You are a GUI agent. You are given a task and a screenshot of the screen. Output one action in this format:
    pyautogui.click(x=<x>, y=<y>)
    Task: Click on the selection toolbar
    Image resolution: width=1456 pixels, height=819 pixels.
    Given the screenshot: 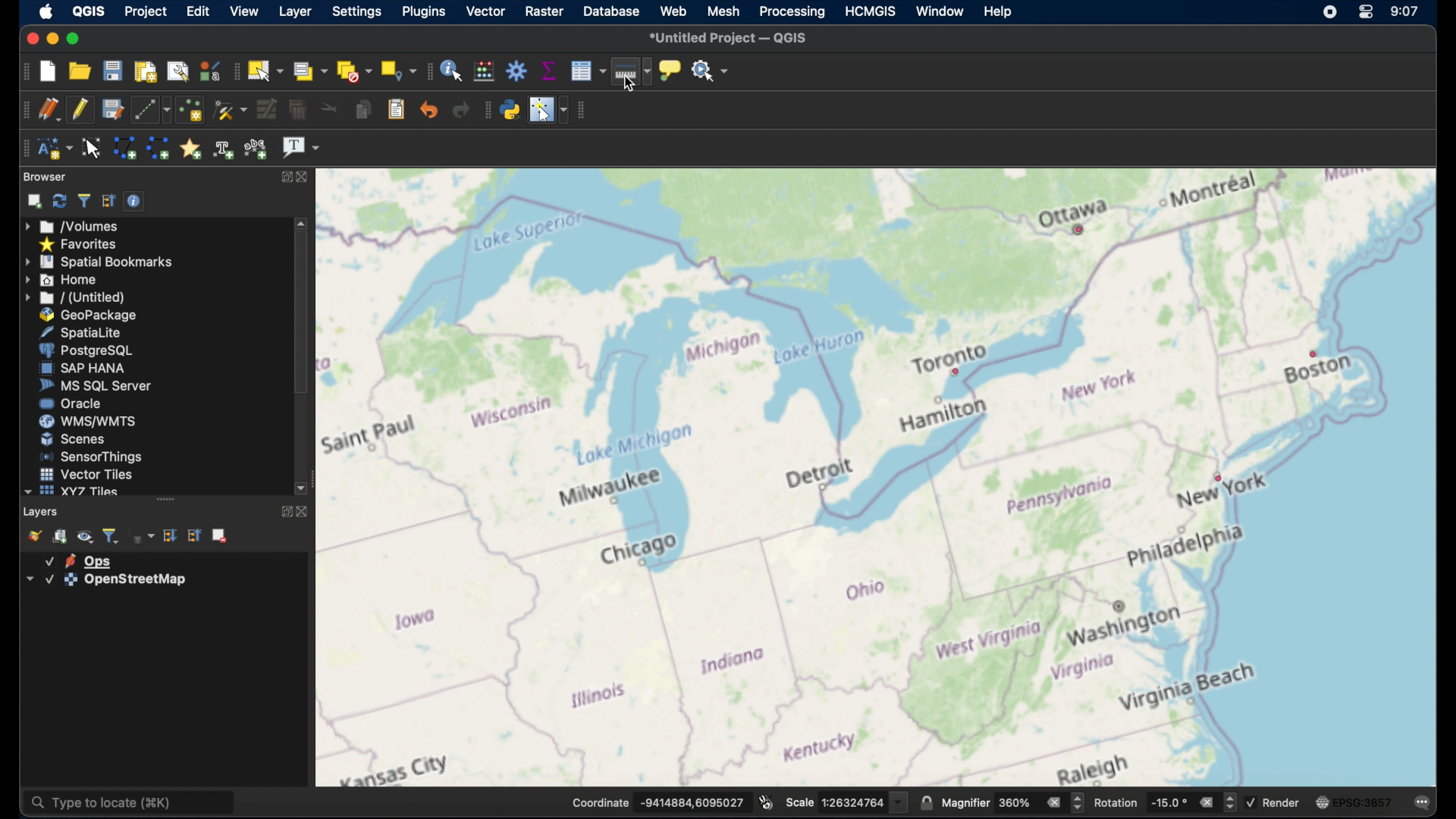 What is the action you would take?
    pyautogui.click(x=237, y=70)
    